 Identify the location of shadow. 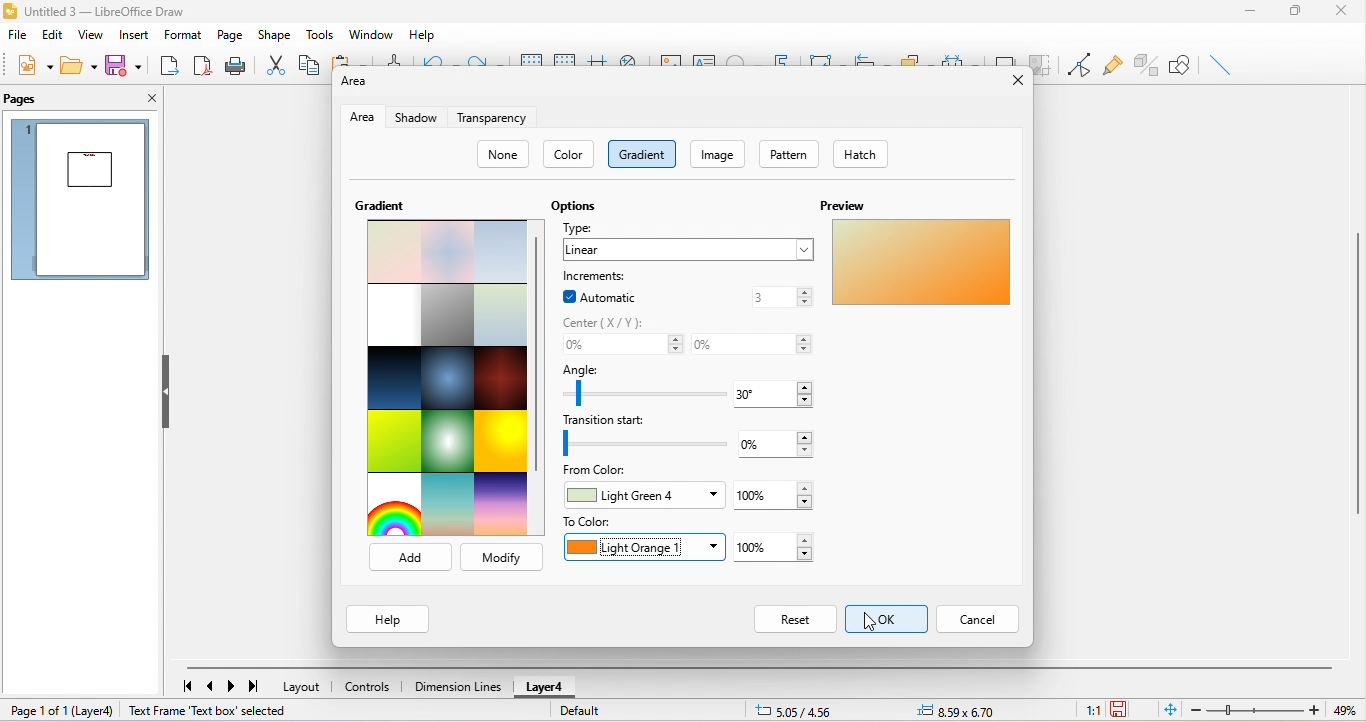
(1006, 55).